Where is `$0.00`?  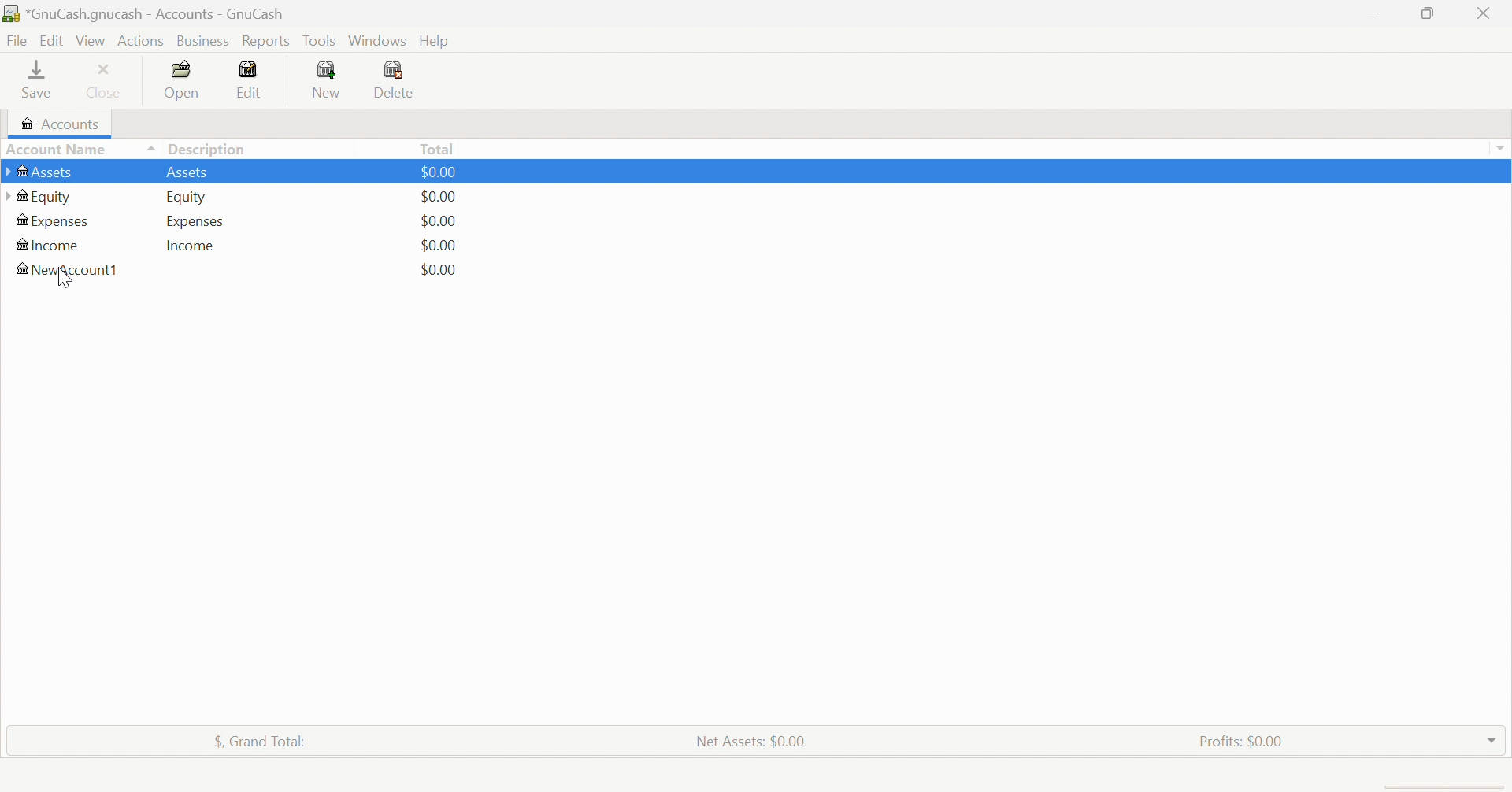 $0.00 is located at coordinates (442, 195).